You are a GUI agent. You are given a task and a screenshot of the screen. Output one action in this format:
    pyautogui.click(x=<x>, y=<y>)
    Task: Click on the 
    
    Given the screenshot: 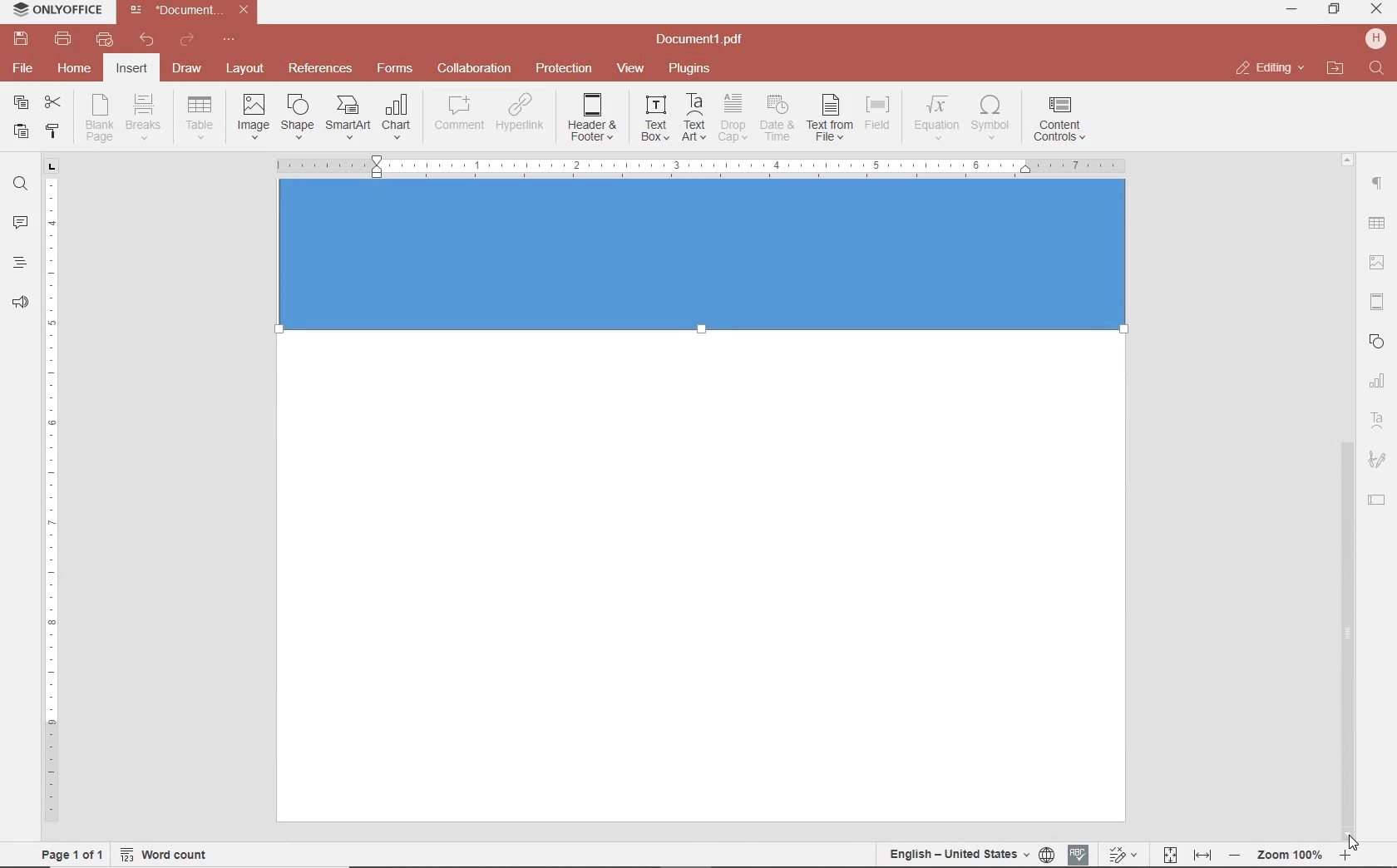 What is the action you would take?
    pyautogui.click(x=1347, y=157)
    